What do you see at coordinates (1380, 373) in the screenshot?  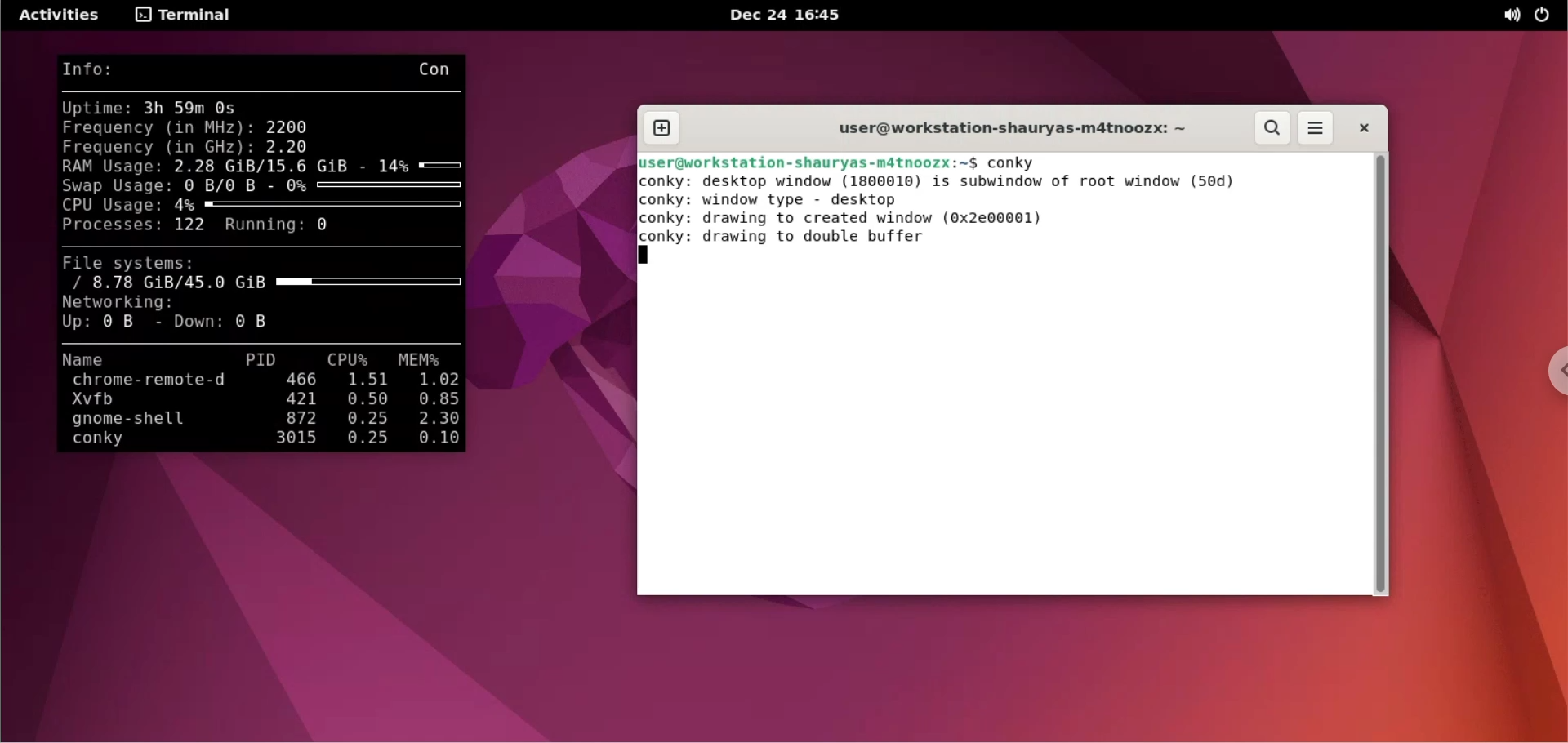 I see `scrollbar` at bounding box center [1380, 373].